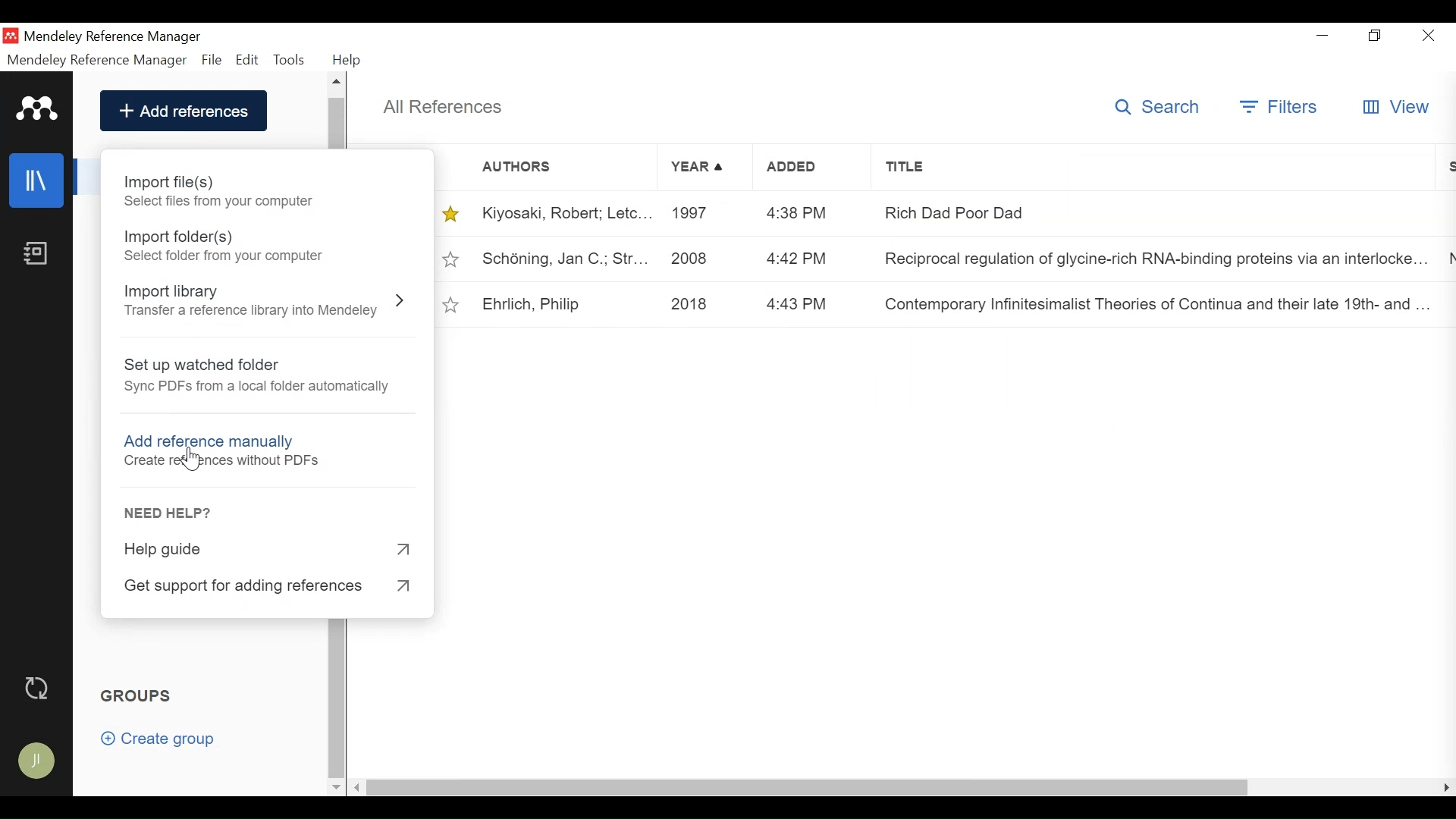 This screenshot has width=1456, height=819. What do you see at coordinates (172, 290) in the screenshot?
I see `Import Library` at bounding box center [172, 290].